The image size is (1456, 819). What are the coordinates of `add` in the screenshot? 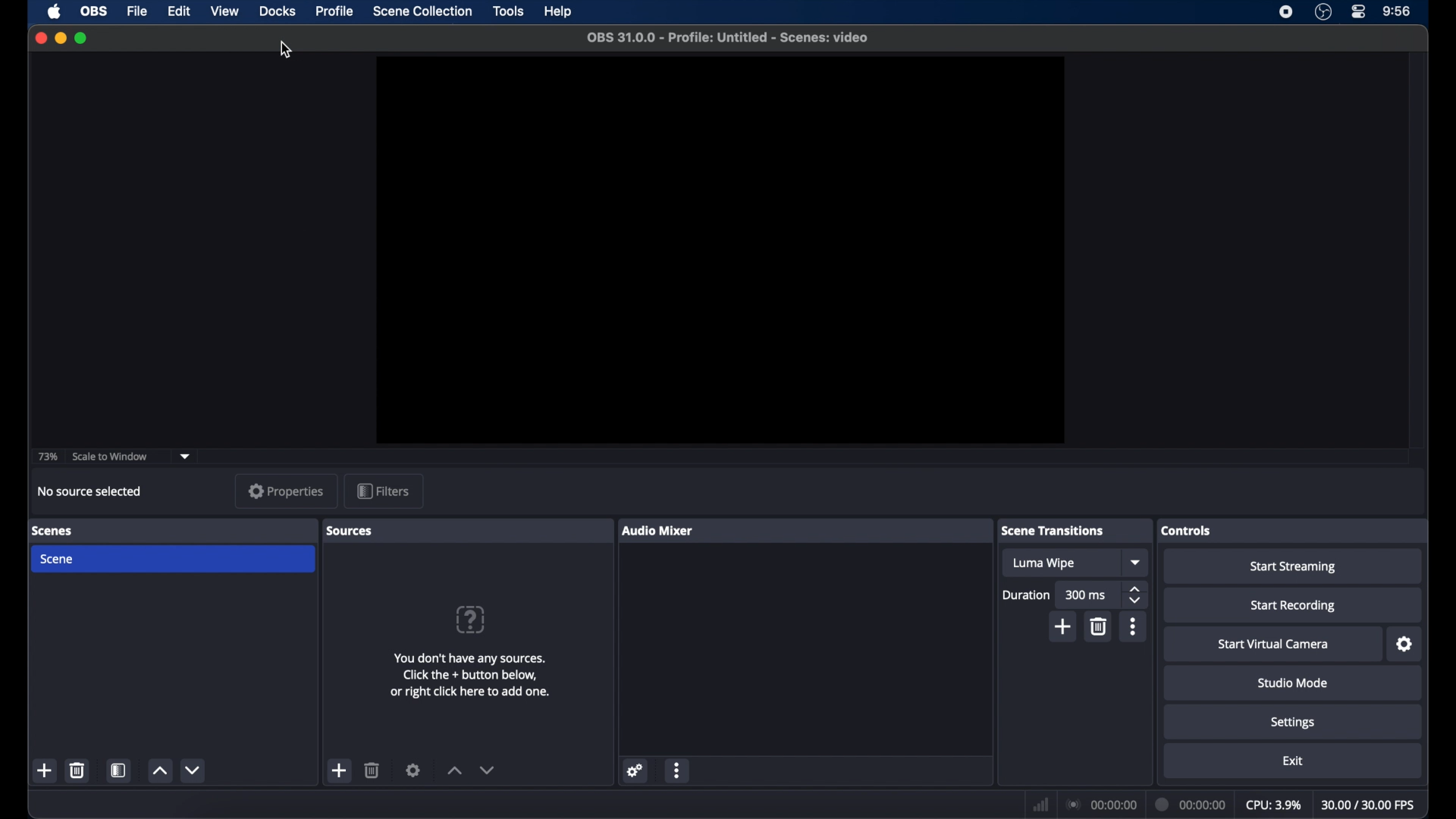 It's located at (46, 771).